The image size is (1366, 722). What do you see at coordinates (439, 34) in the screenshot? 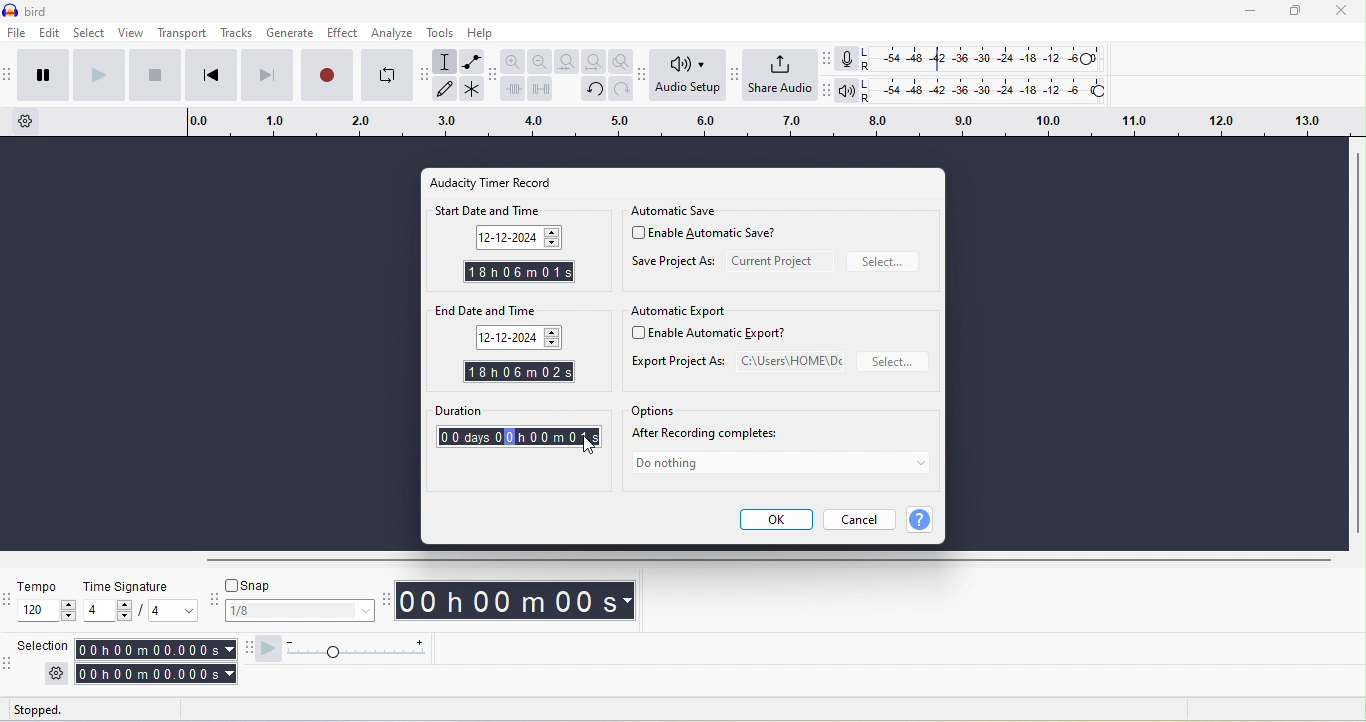
I see `tools` at bounding box center [439, 34].